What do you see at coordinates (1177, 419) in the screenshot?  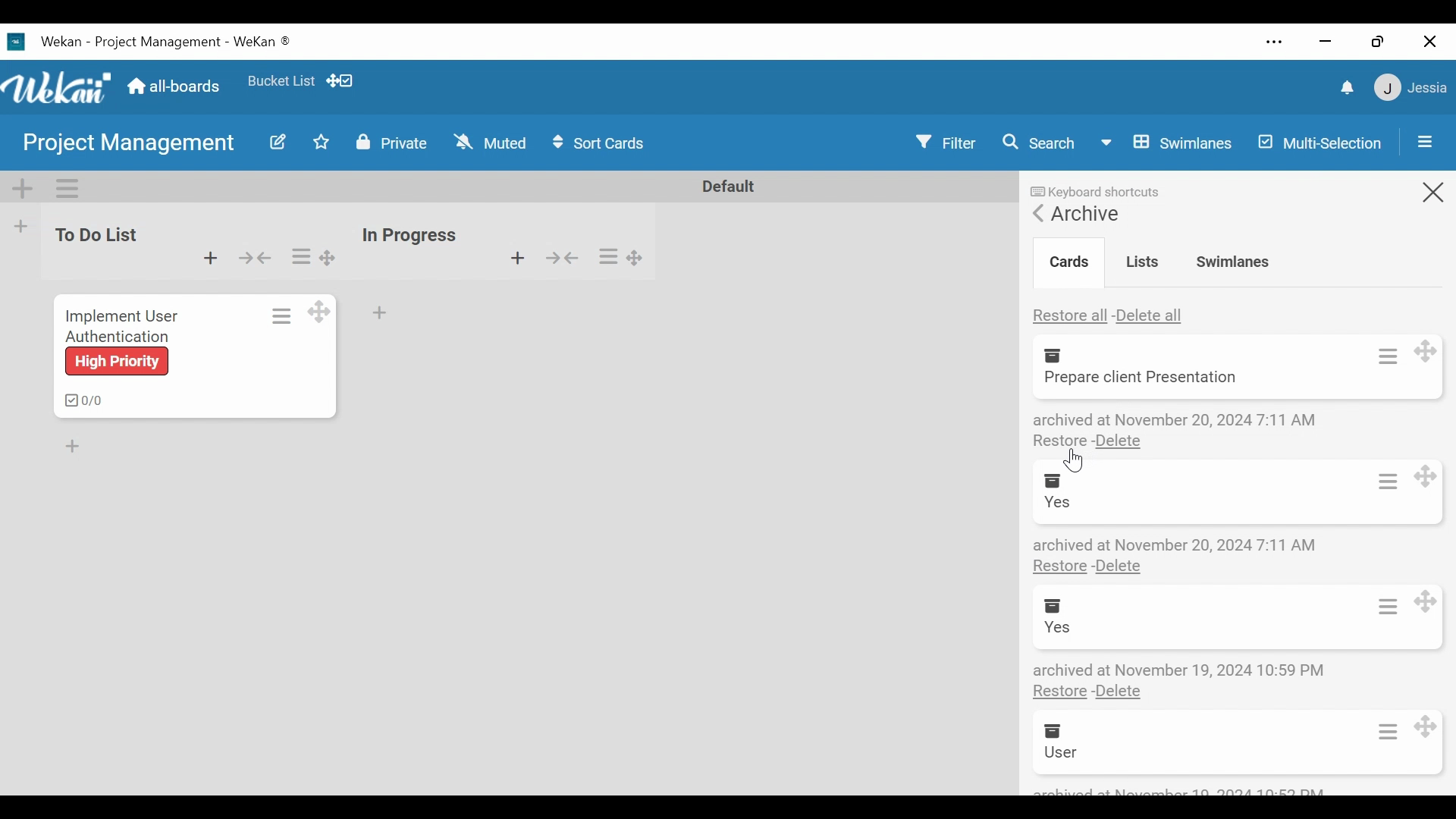 I see `archive details` at bounding box center [1177, 419].